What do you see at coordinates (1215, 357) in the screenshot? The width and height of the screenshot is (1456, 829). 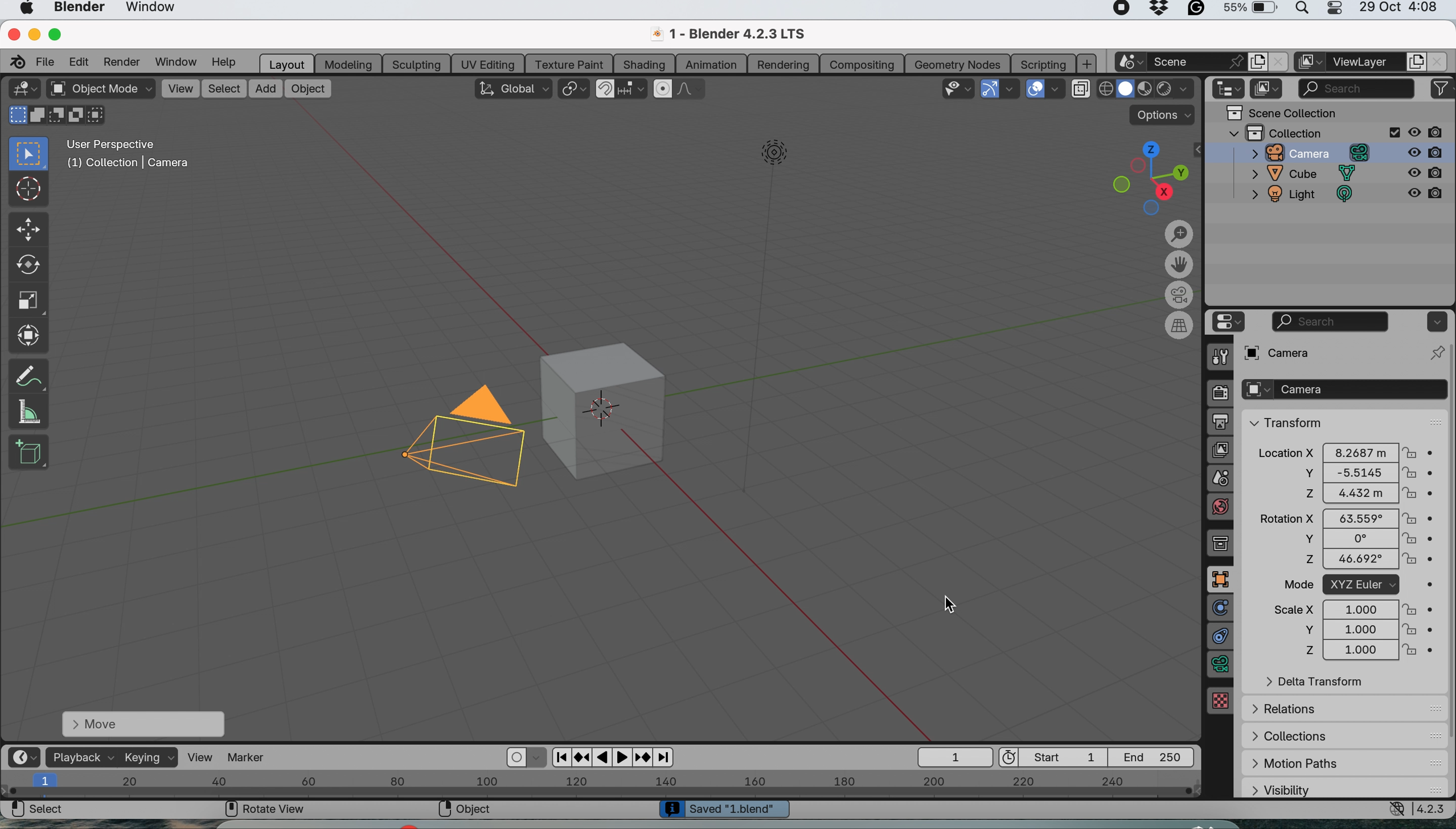 I see `tool` at bounding box center [1215, 357].